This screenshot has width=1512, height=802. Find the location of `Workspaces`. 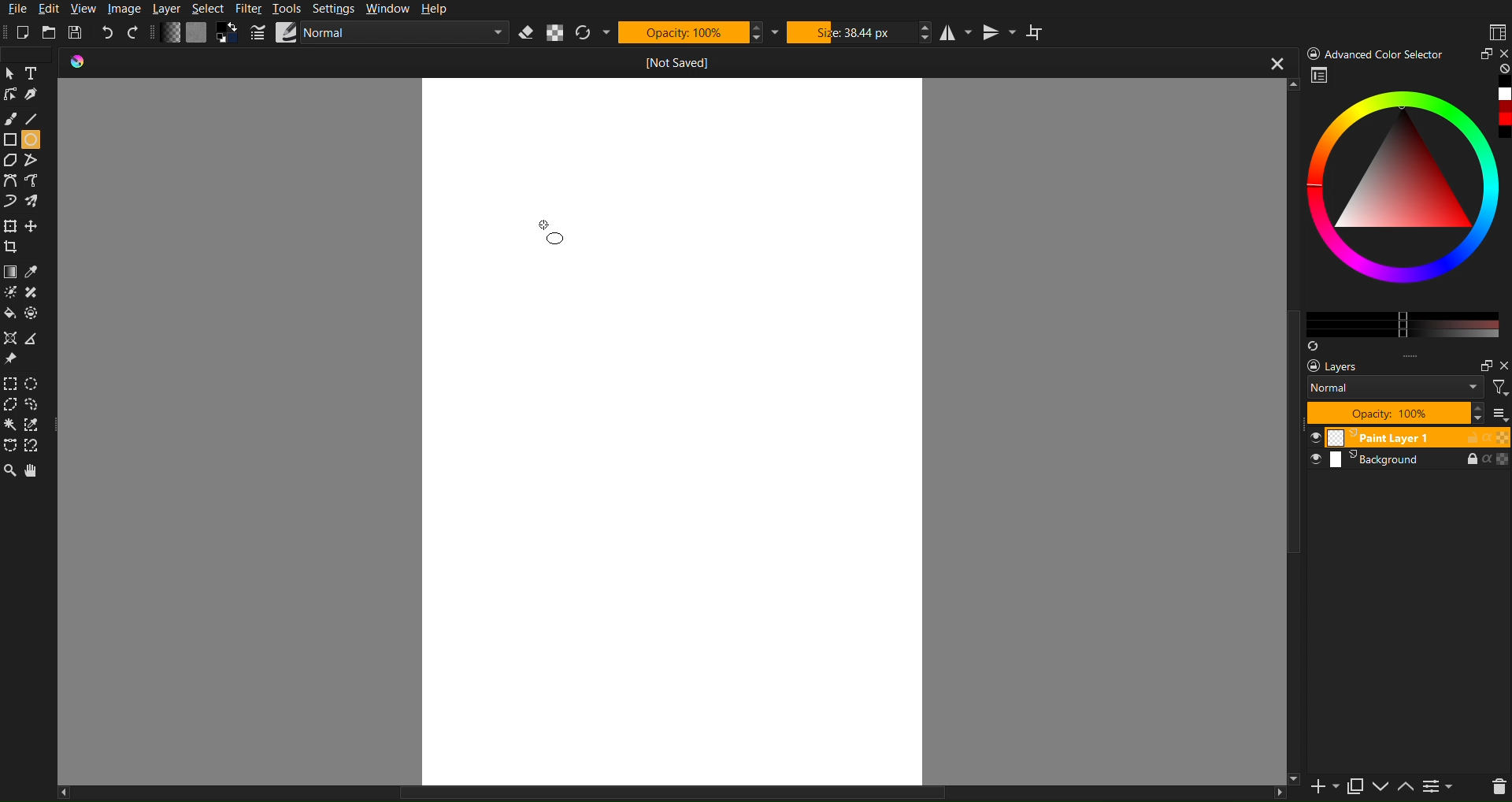

Workspaces is located at coordinates (1496, 31).